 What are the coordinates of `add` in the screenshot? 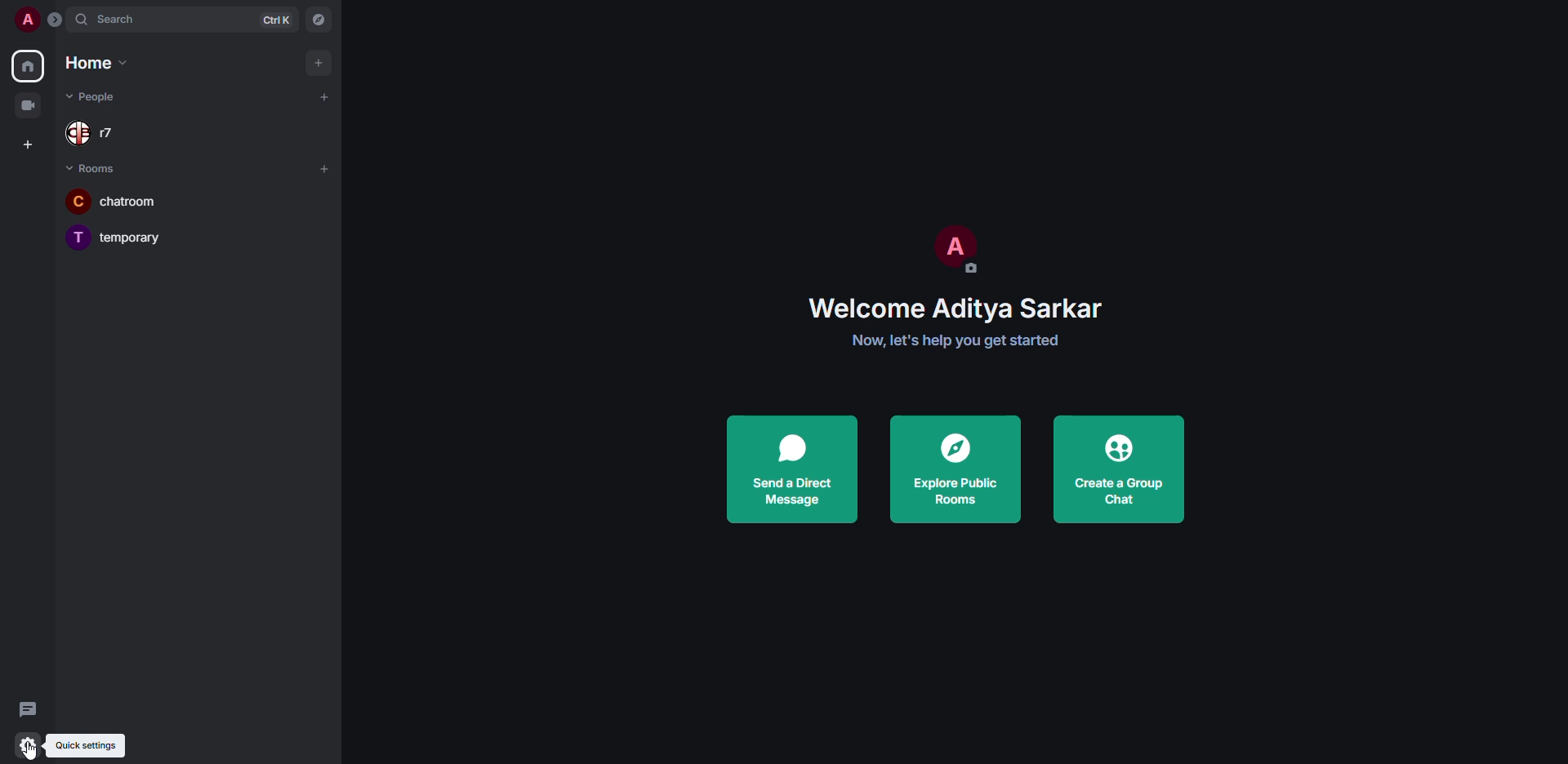 It's located at (319, 62).